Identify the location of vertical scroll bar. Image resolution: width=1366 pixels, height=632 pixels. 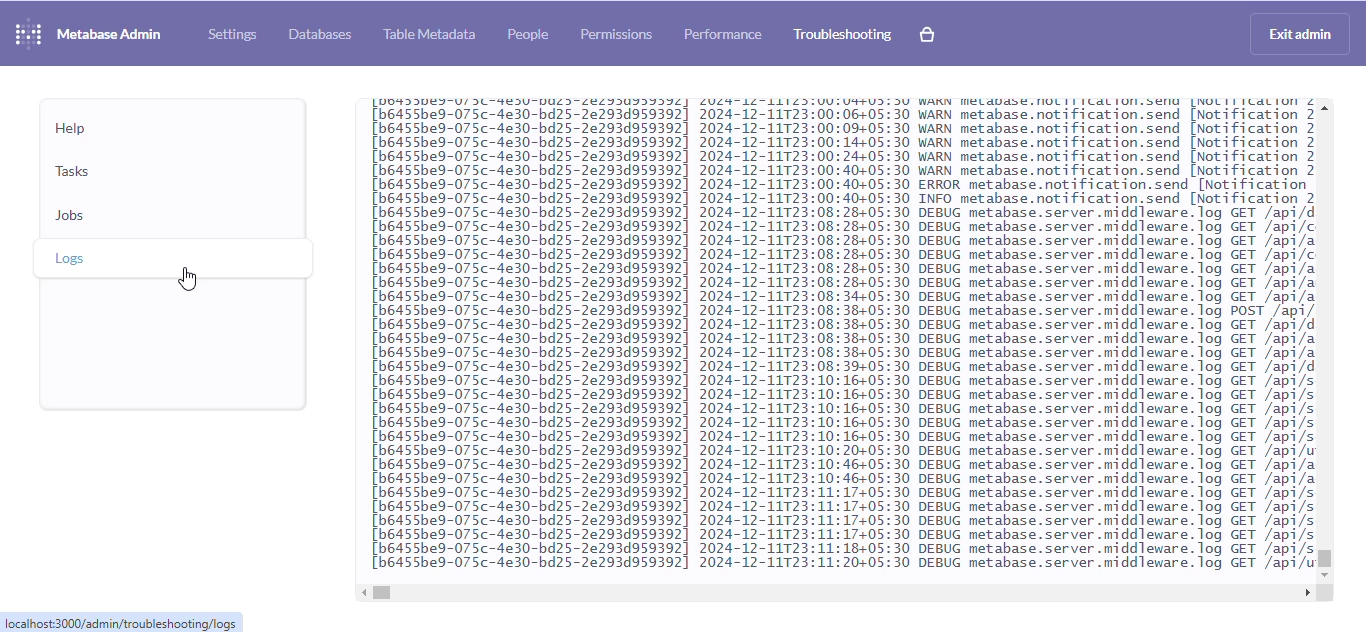
(1326, 559).